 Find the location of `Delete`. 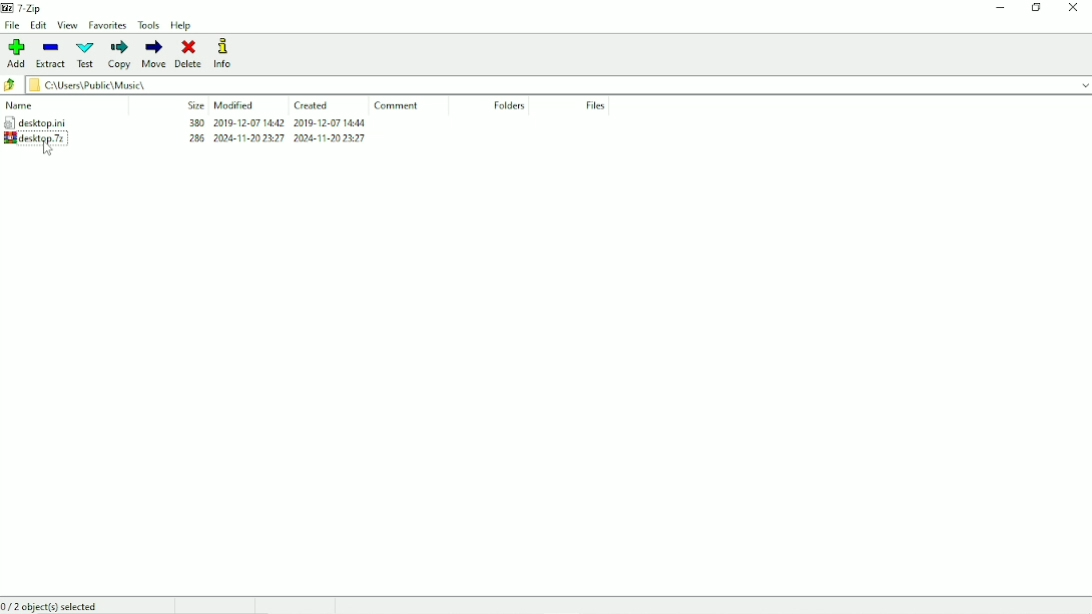

Delete is located at coordinates (188, 53).